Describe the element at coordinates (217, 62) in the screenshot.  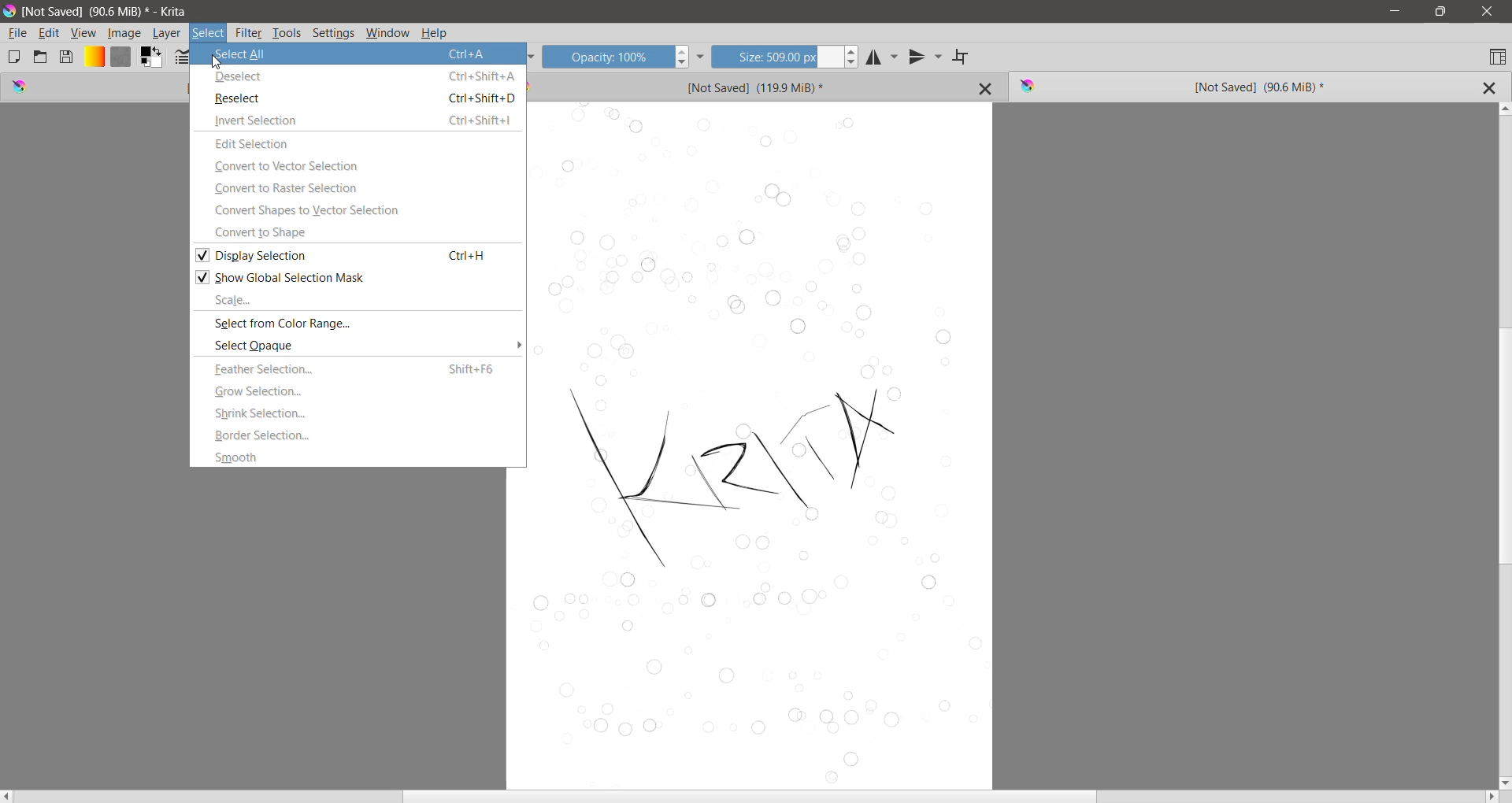
I see `Cursor` at that location.